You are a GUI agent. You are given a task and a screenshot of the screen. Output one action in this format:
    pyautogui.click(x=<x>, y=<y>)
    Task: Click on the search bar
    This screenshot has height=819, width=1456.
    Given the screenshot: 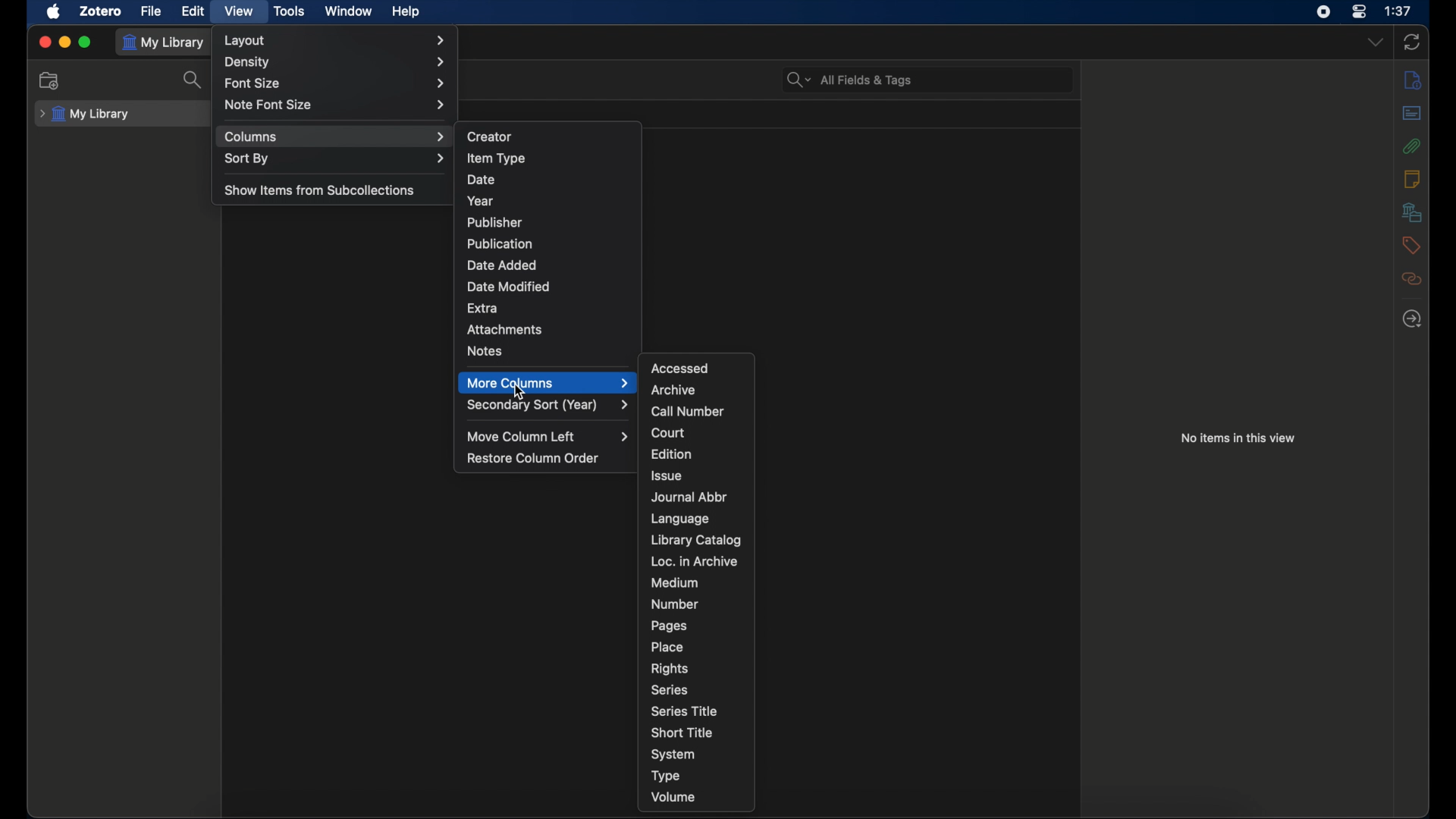 What is the action you would take?
    pyautogui.click(x=850, y=80)
    